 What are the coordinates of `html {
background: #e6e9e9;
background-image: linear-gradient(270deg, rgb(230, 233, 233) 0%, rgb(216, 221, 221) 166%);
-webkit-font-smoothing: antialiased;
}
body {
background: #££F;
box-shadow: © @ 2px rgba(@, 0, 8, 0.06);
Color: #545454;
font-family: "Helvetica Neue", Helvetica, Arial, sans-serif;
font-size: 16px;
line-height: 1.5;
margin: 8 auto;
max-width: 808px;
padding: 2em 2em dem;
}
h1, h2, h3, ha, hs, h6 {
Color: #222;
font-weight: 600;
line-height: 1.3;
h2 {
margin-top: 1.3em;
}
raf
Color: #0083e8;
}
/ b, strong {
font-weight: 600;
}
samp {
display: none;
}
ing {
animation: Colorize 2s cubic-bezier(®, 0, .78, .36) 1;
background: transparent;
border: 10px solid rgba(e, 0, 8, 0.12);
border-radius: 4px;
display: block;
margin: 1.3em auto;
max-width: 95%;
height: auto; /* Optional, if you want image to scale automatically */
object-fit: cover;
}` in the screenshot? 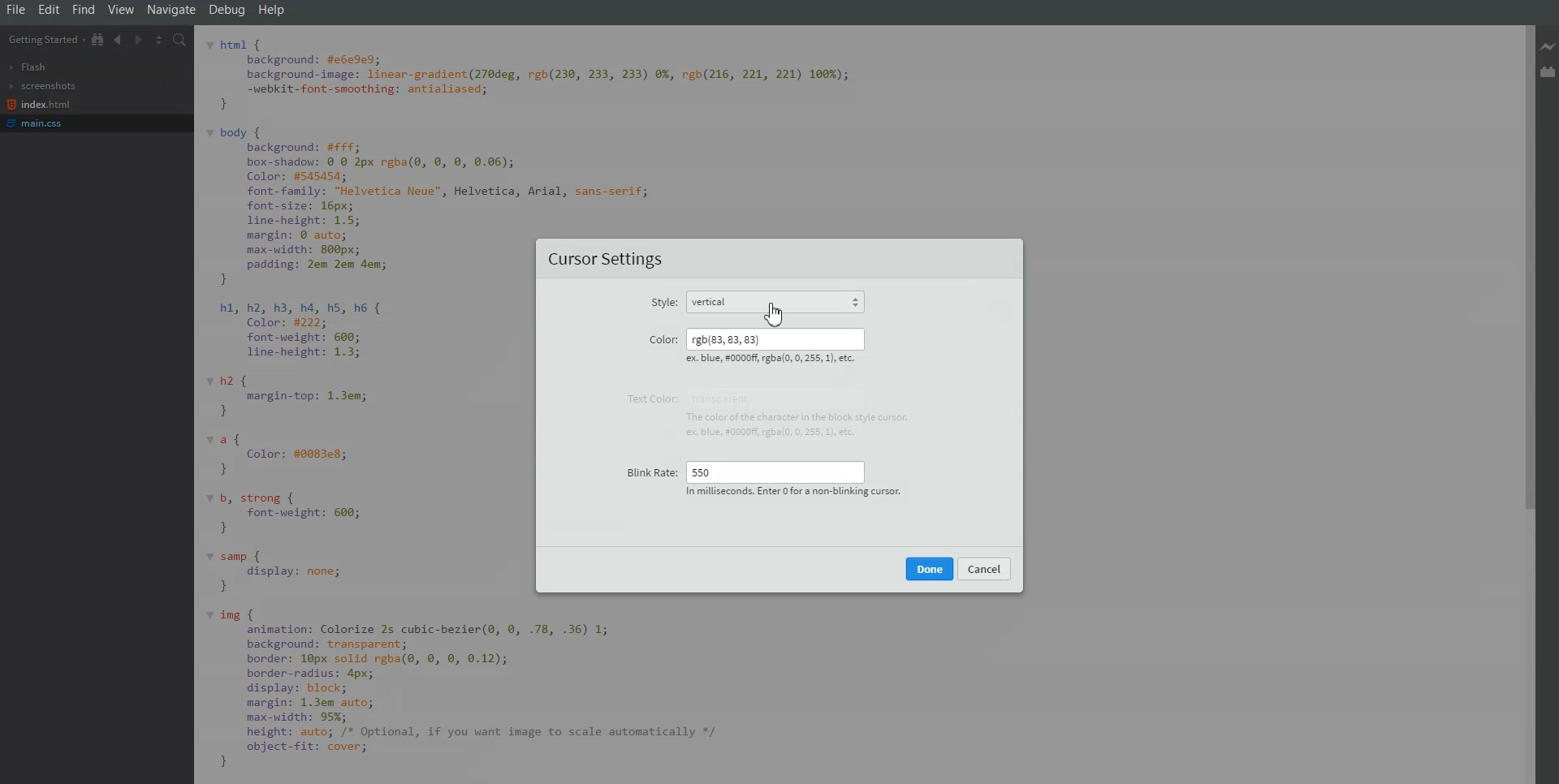 It's located at (369, 407).